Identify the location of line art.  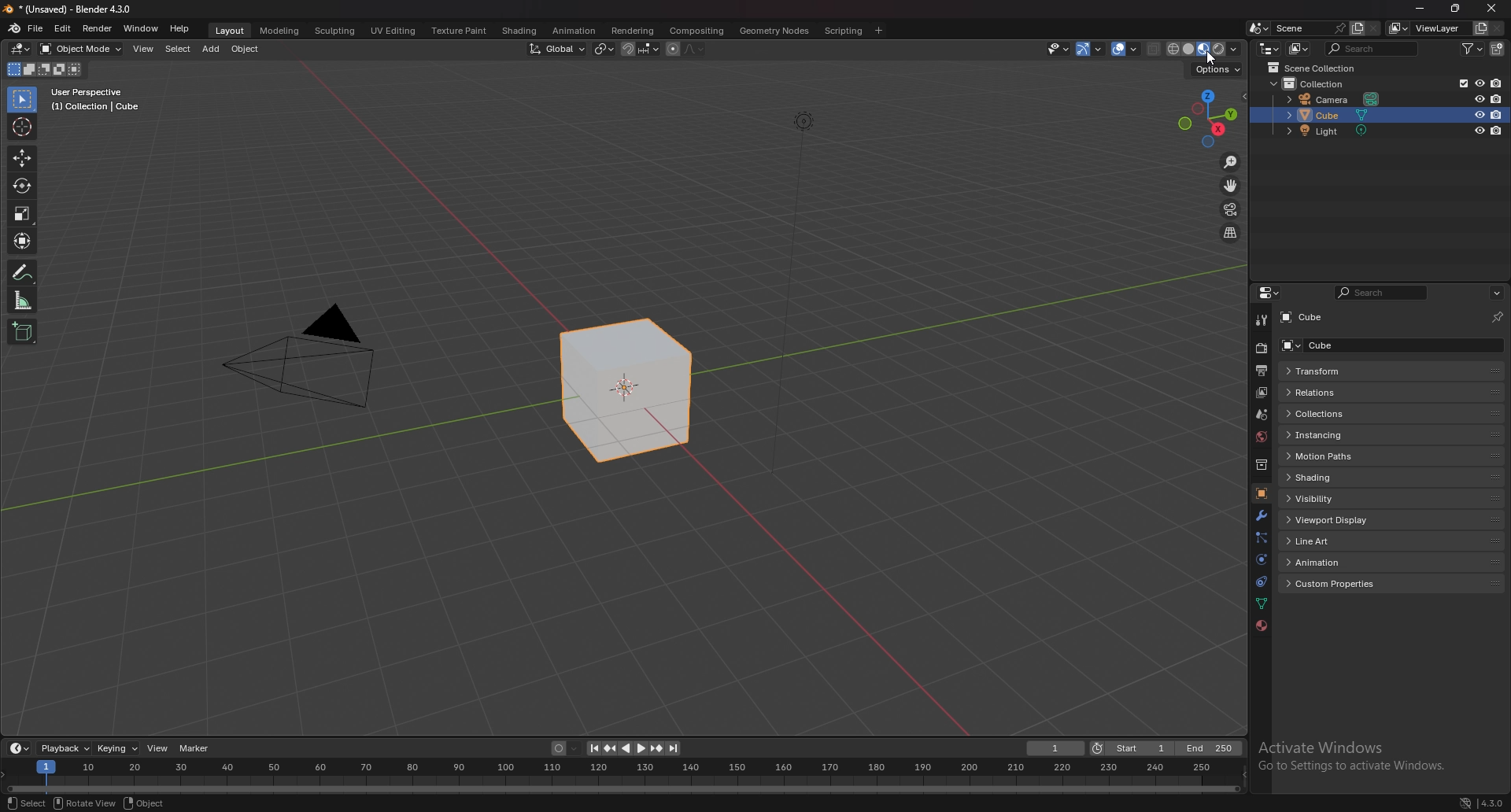
(1347, 540).